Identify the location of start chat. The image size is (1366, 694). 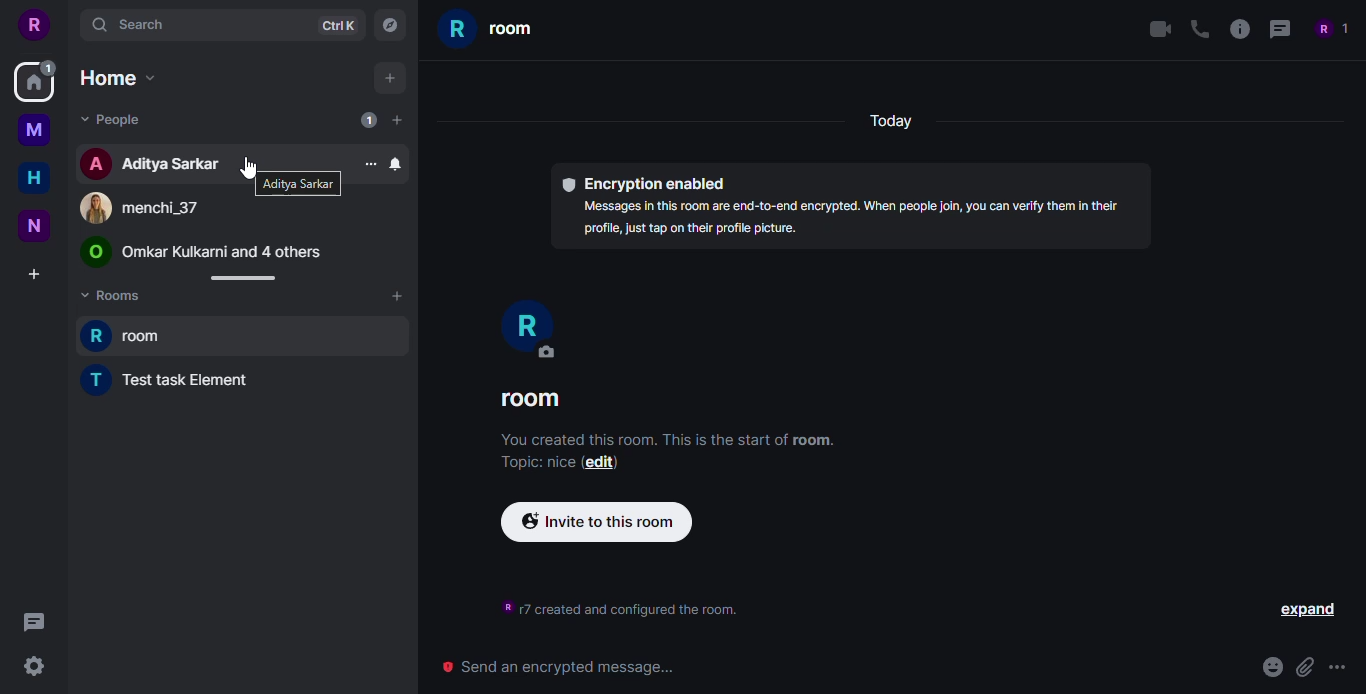
(396, 119).